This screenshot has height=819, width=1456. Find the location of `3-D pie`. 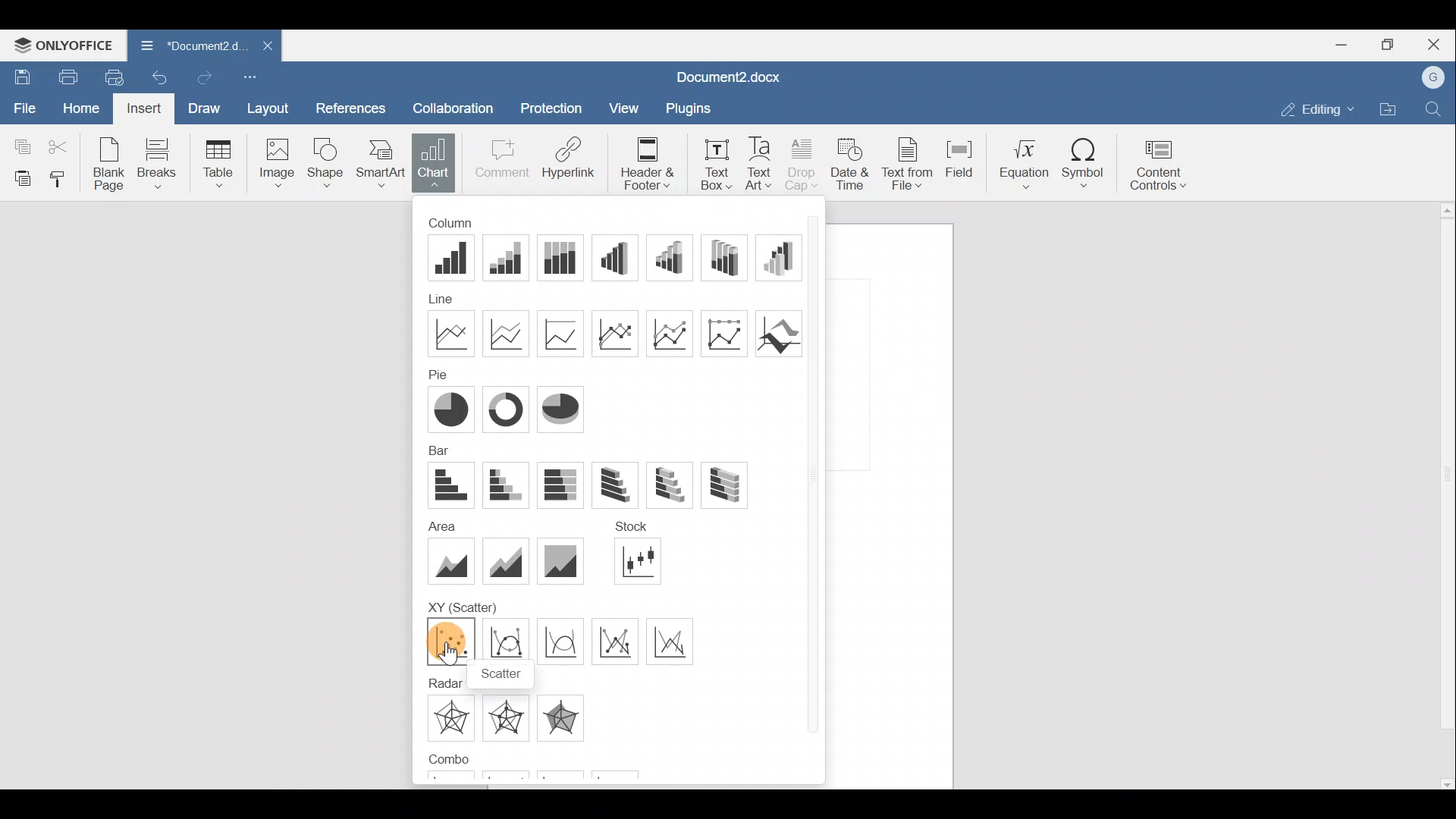

3-D pie is located at coordinates (563, 409).